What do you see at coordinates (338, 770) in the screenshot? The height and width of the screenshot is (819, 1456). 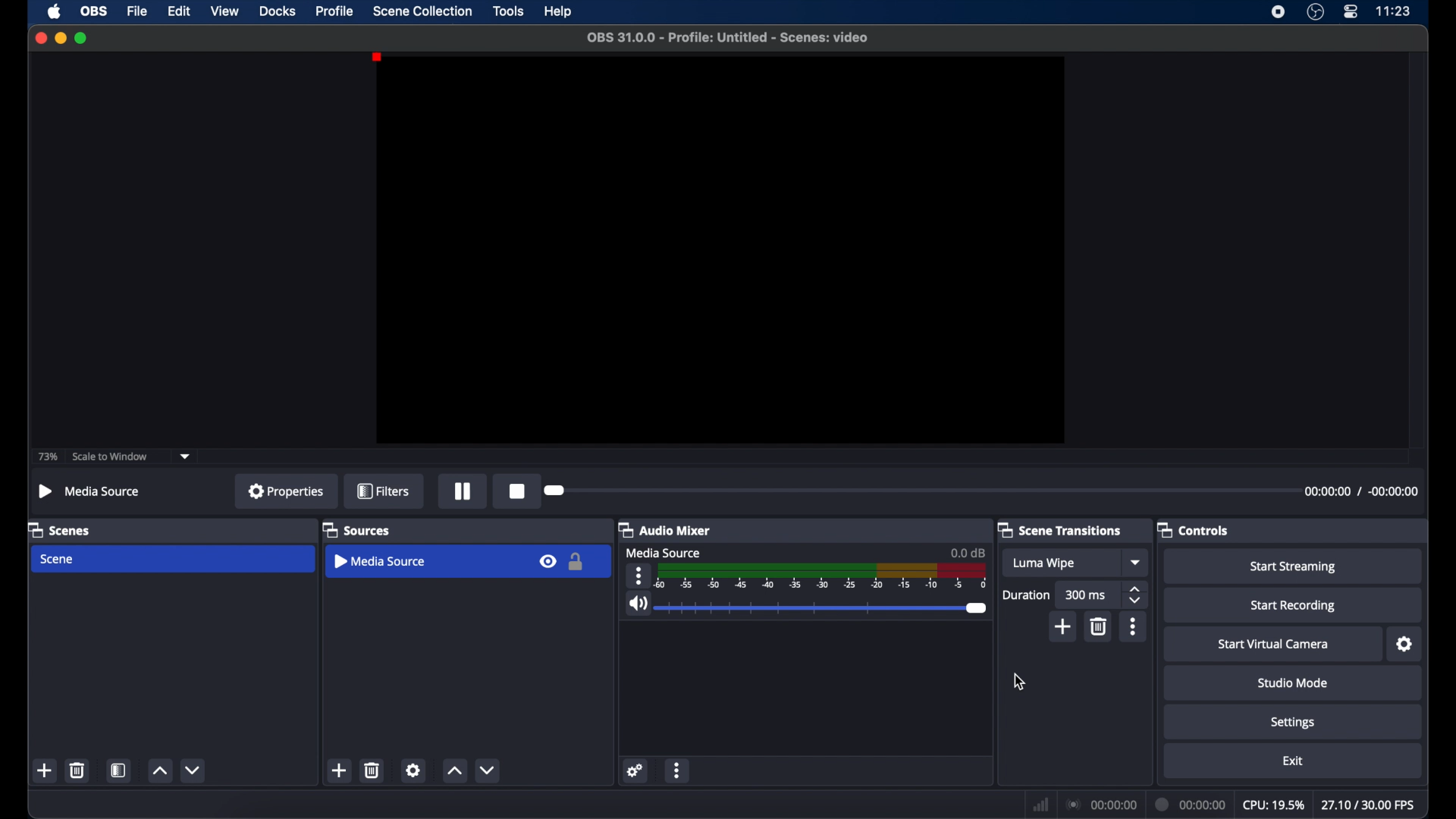 I see `add` at bounding box center [338, 770].